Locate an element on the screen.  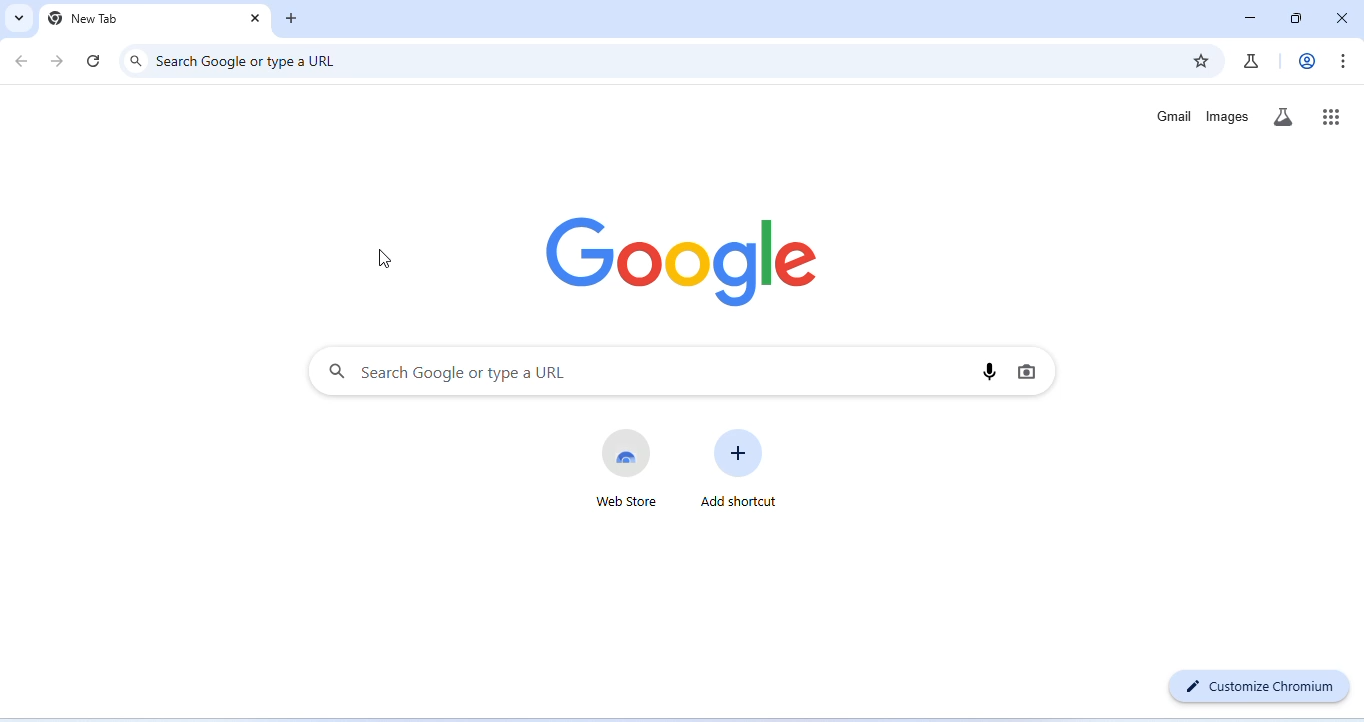
gmail is located at coordinates (1176, 117).